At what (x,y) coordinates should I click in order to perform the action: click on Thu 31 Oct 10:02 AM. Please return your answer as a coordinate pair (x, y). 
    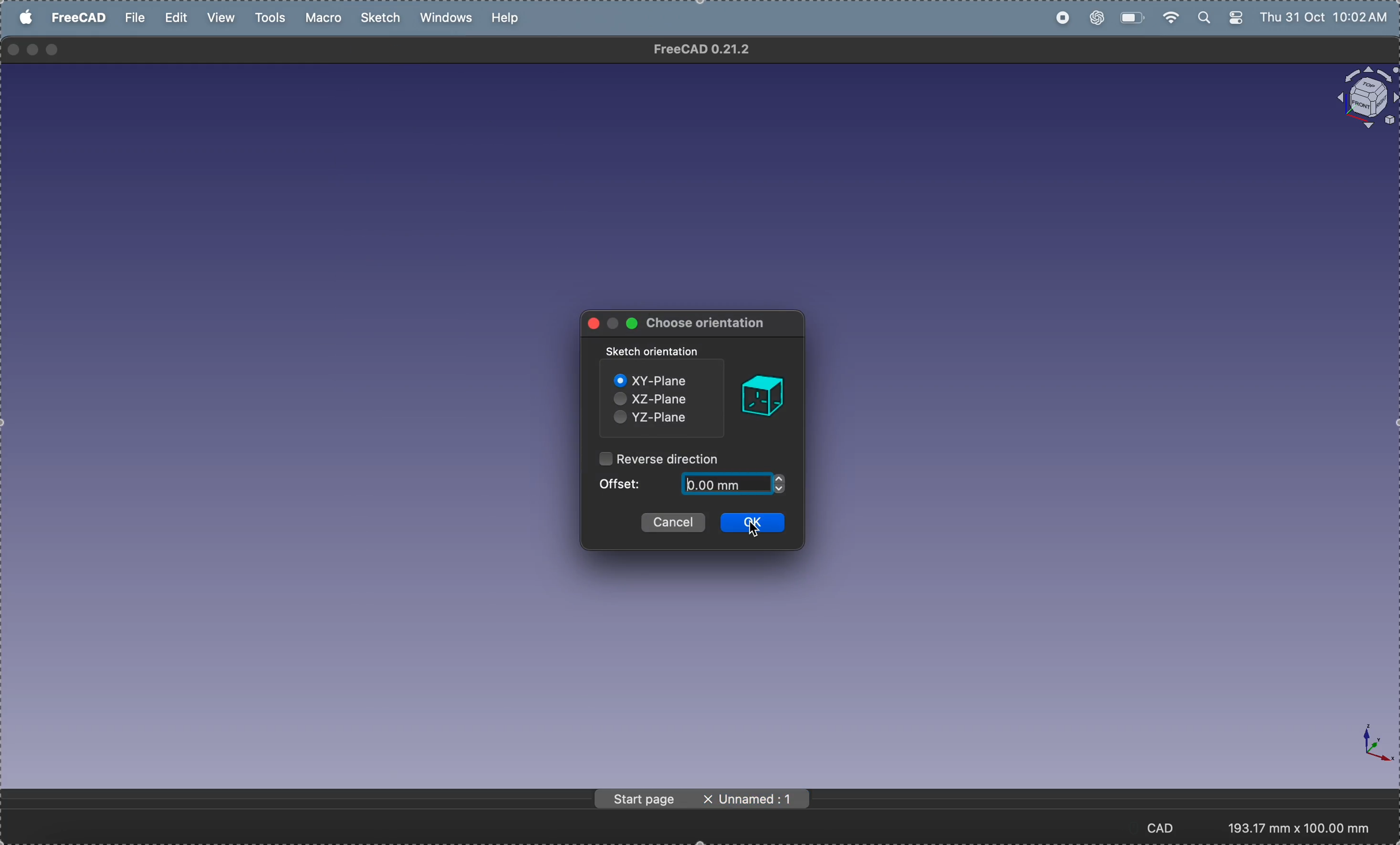
    Looking at the image, I should click on (1327, 19).